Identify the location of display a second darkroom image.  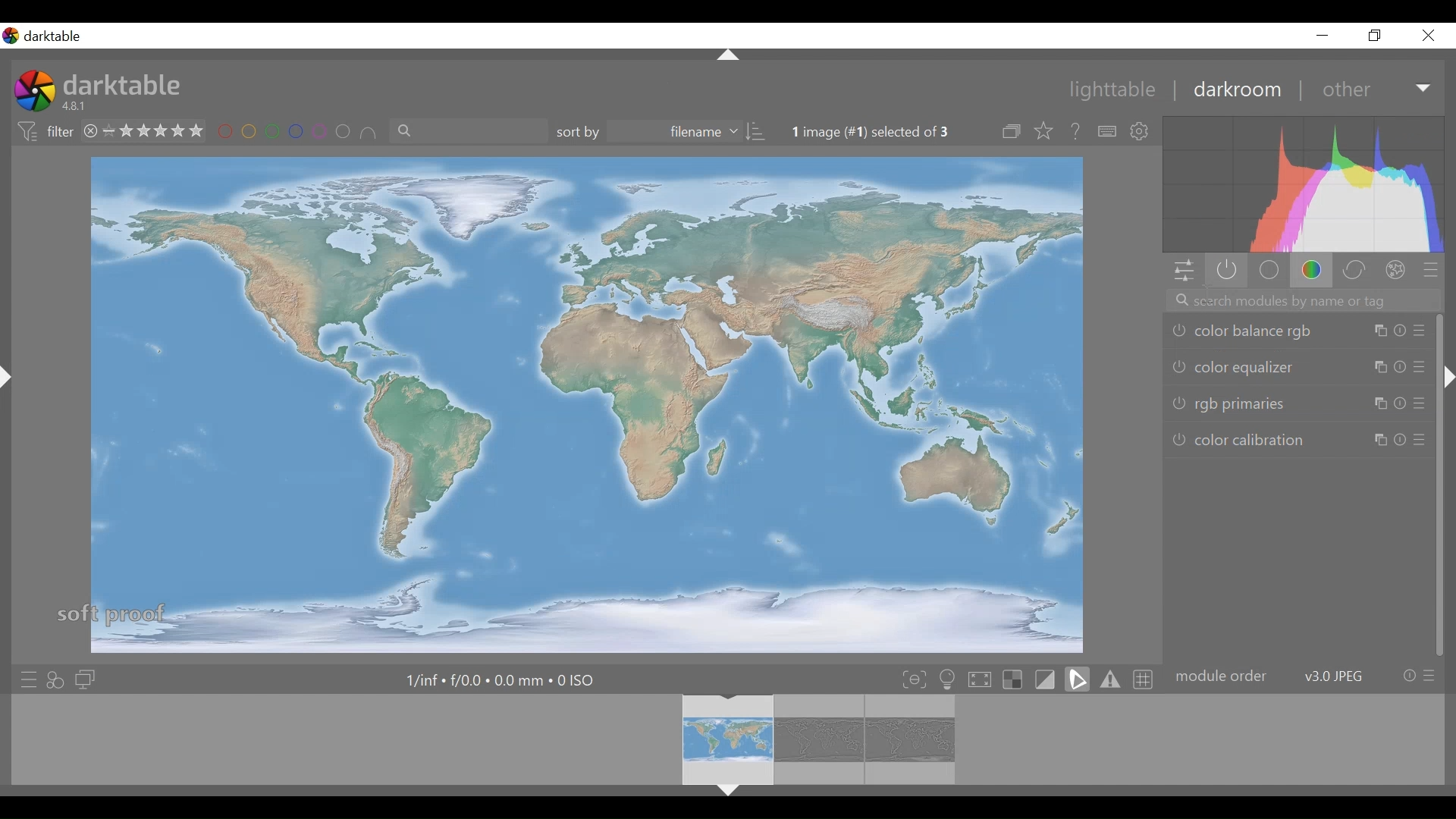
(84, 679).